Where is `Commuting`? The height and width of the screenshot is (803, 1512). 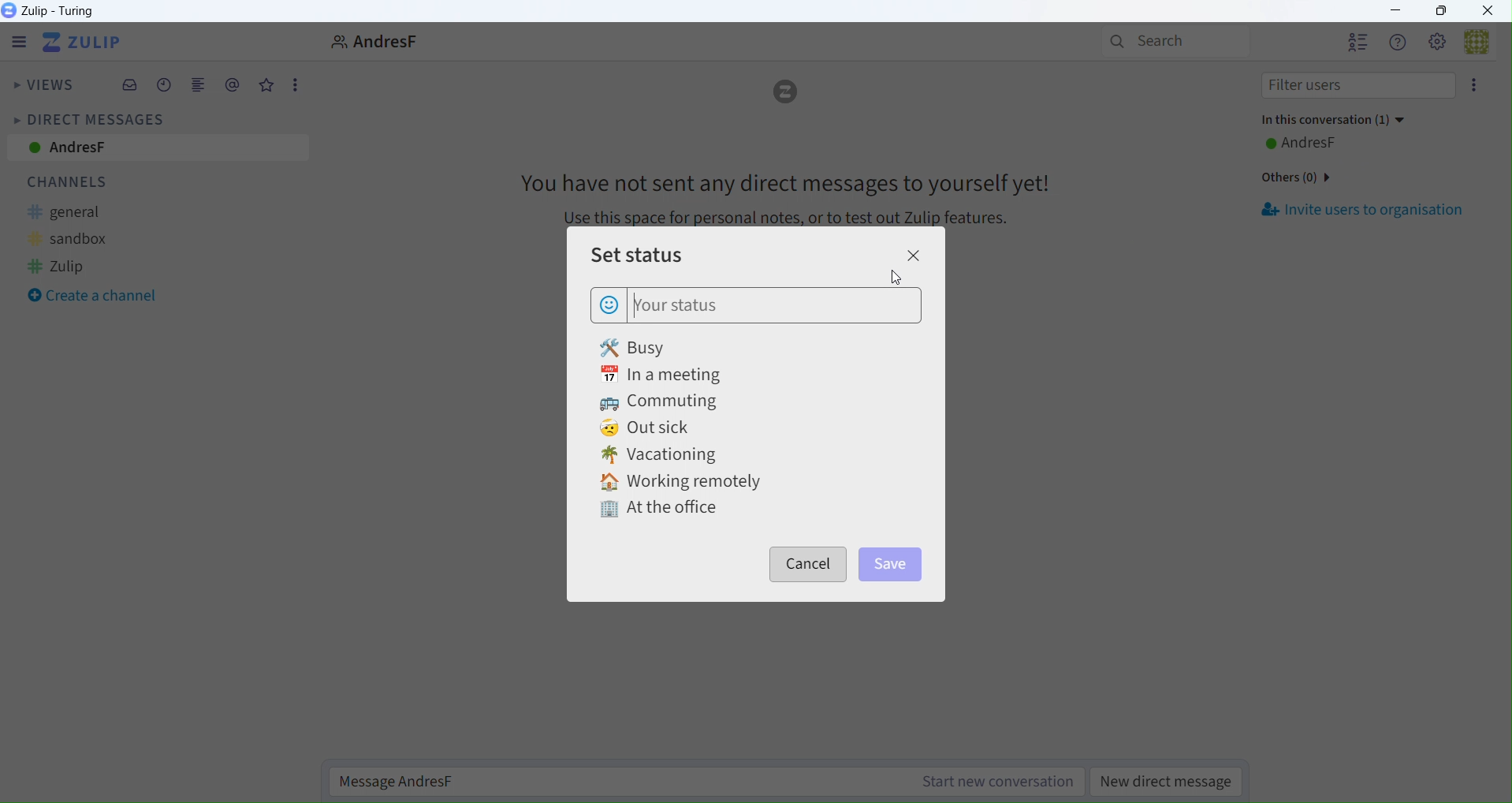
Commuting is located at coordinates (661, 403).